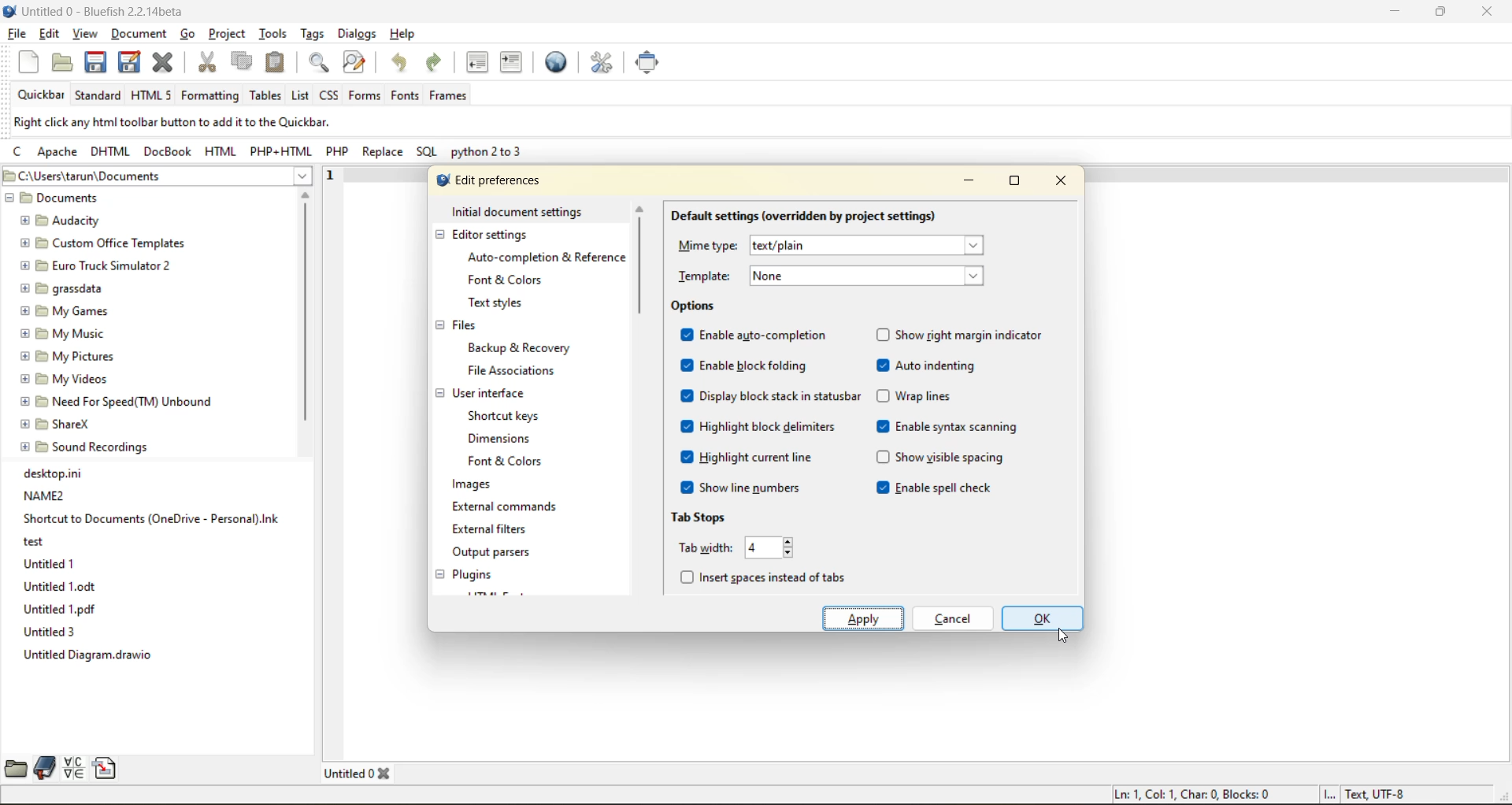 The height and width of the screenshot is (805, 1512). I want to click on docbook, so click(166, 152).